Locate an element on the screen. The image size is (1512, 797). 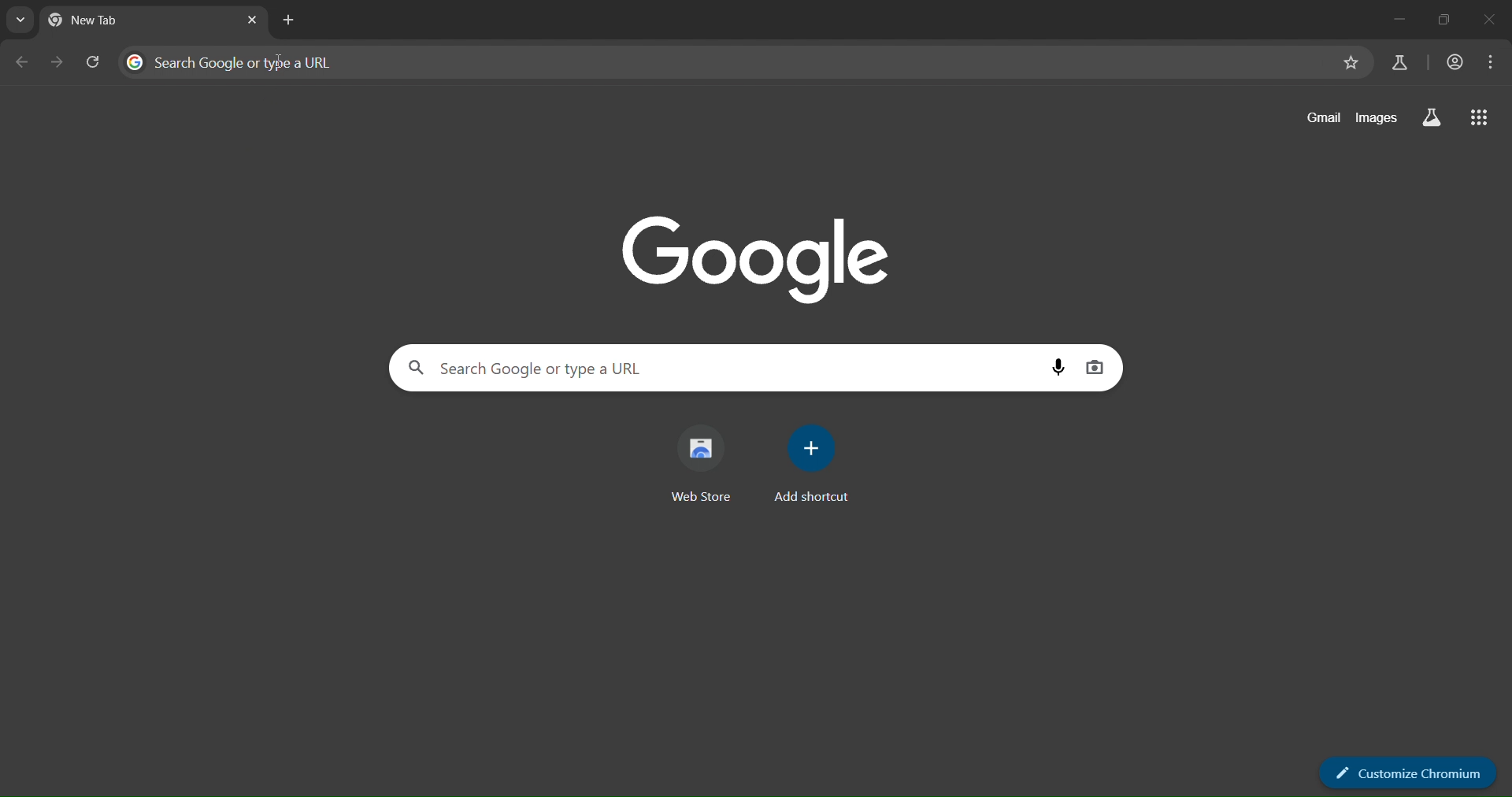
menu is located at coordinates (1490, 65).